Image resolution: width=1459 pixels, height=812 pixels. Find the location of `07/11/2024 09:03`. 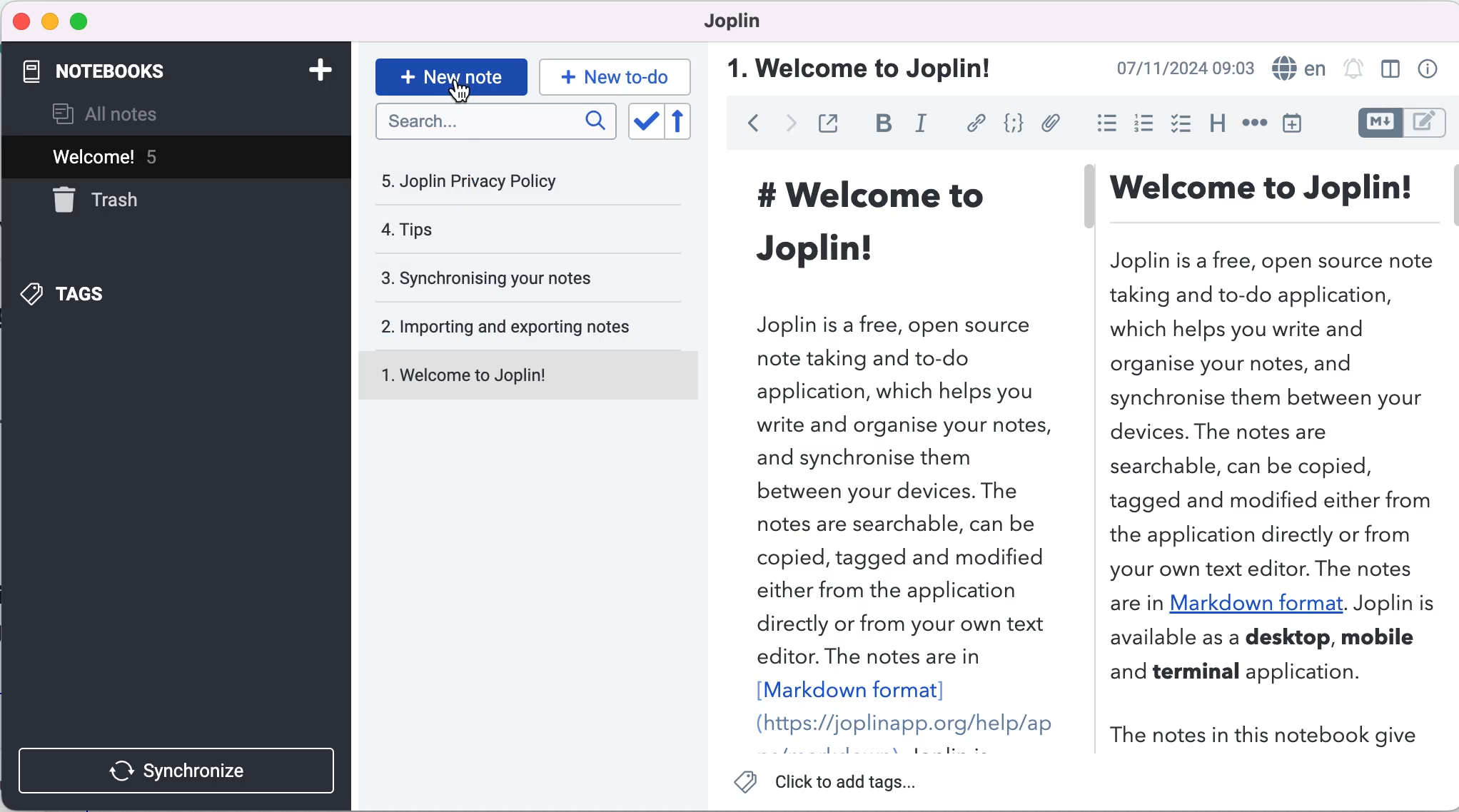

07/11/2024 09:03 is located at coordinates (1171, 69).